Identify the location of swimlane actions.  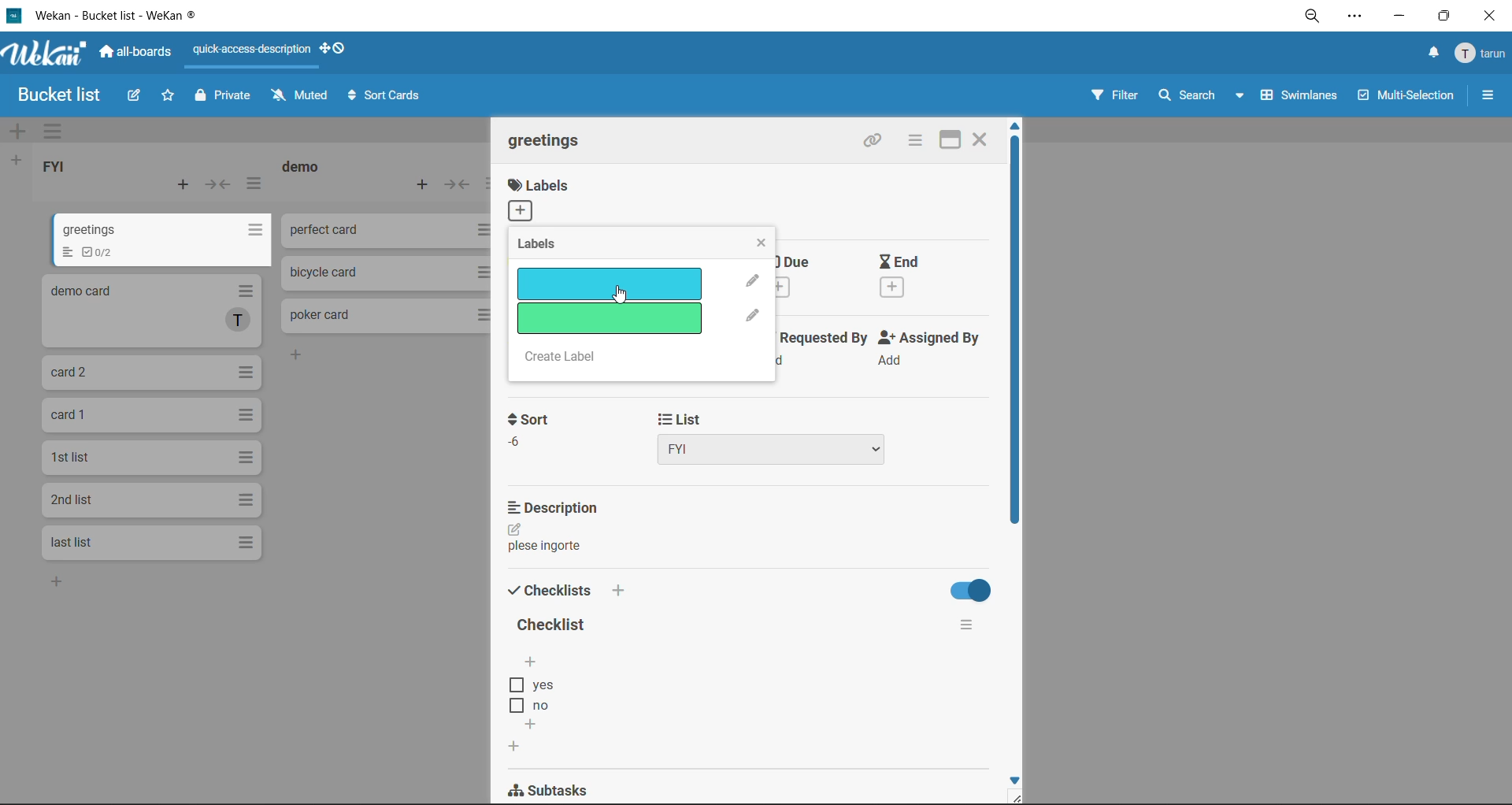
(53, 132).